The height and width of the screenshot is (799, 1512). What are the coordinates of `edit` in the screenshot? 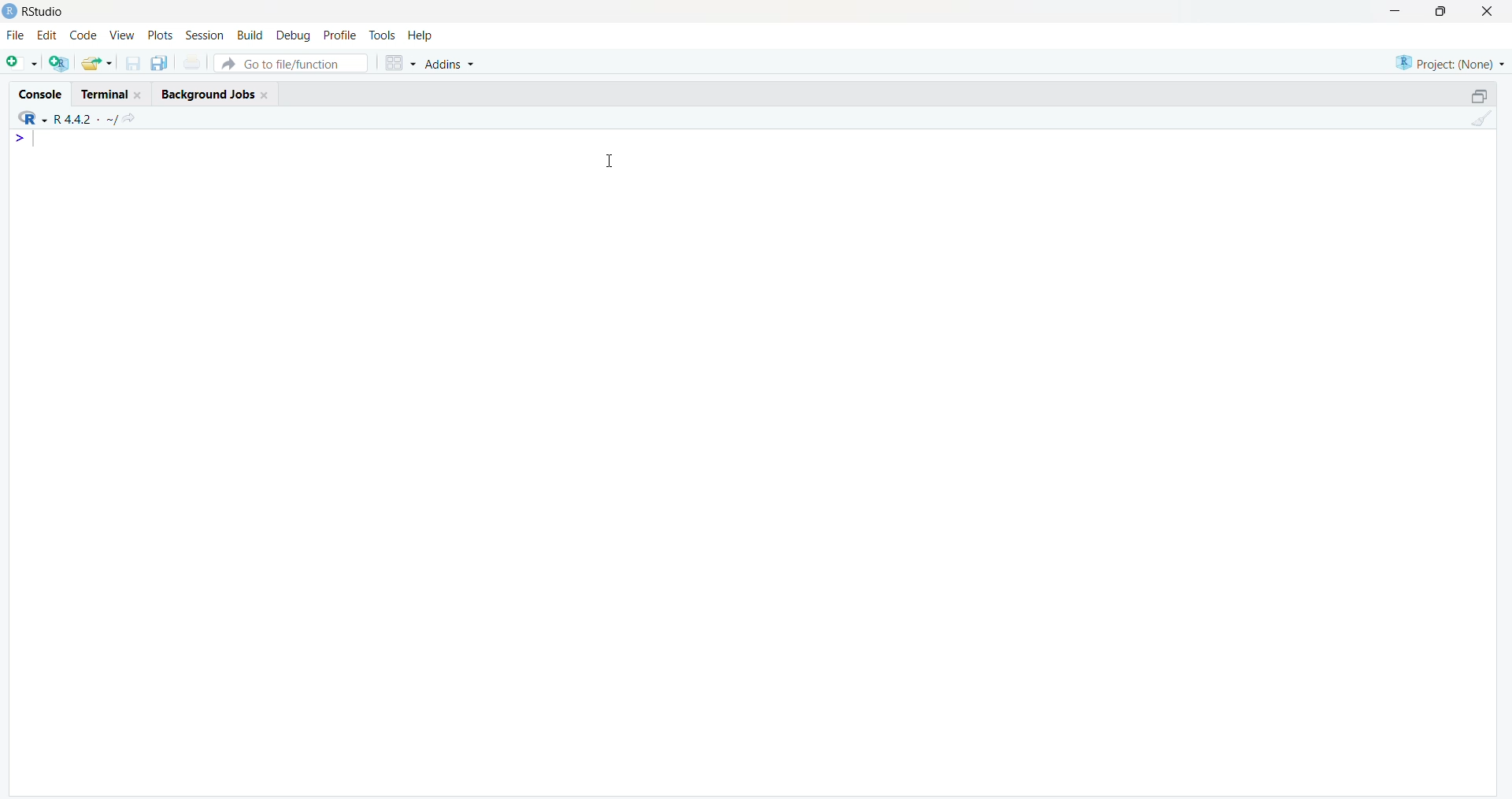 It's located at (46, 35).